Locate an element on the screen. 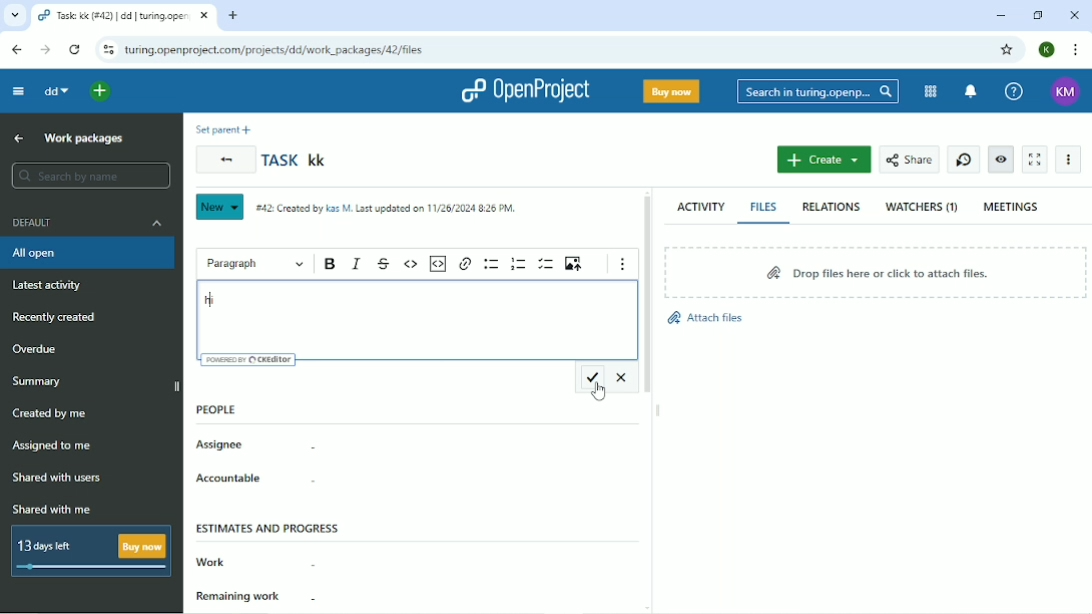  KM is located at coordinates (1063, 91).